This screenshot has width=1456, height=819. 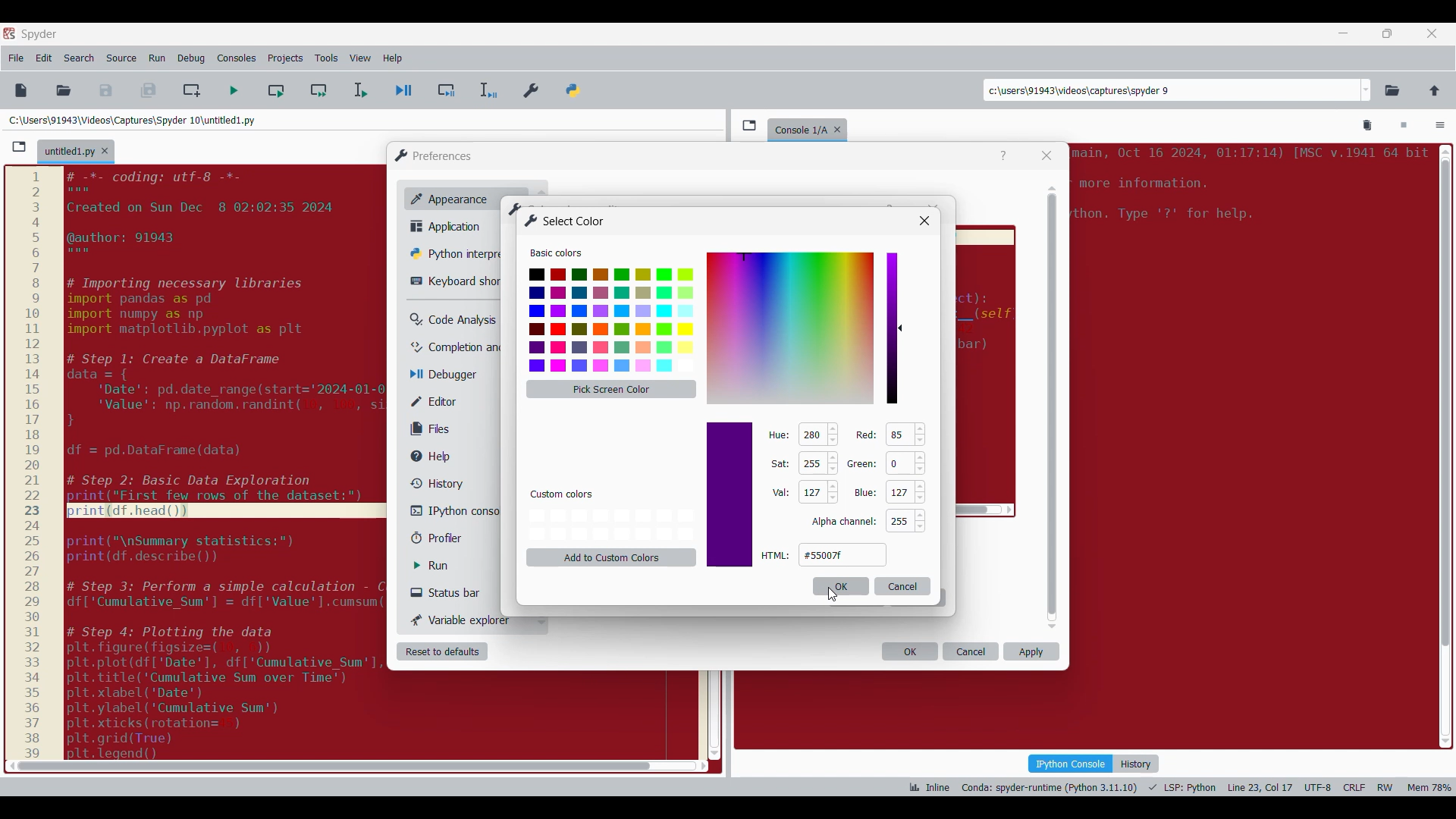 What do you see at coordinates (121, 58) in the screenshot?
I see `Source menu` at bounding box center [121, 58].